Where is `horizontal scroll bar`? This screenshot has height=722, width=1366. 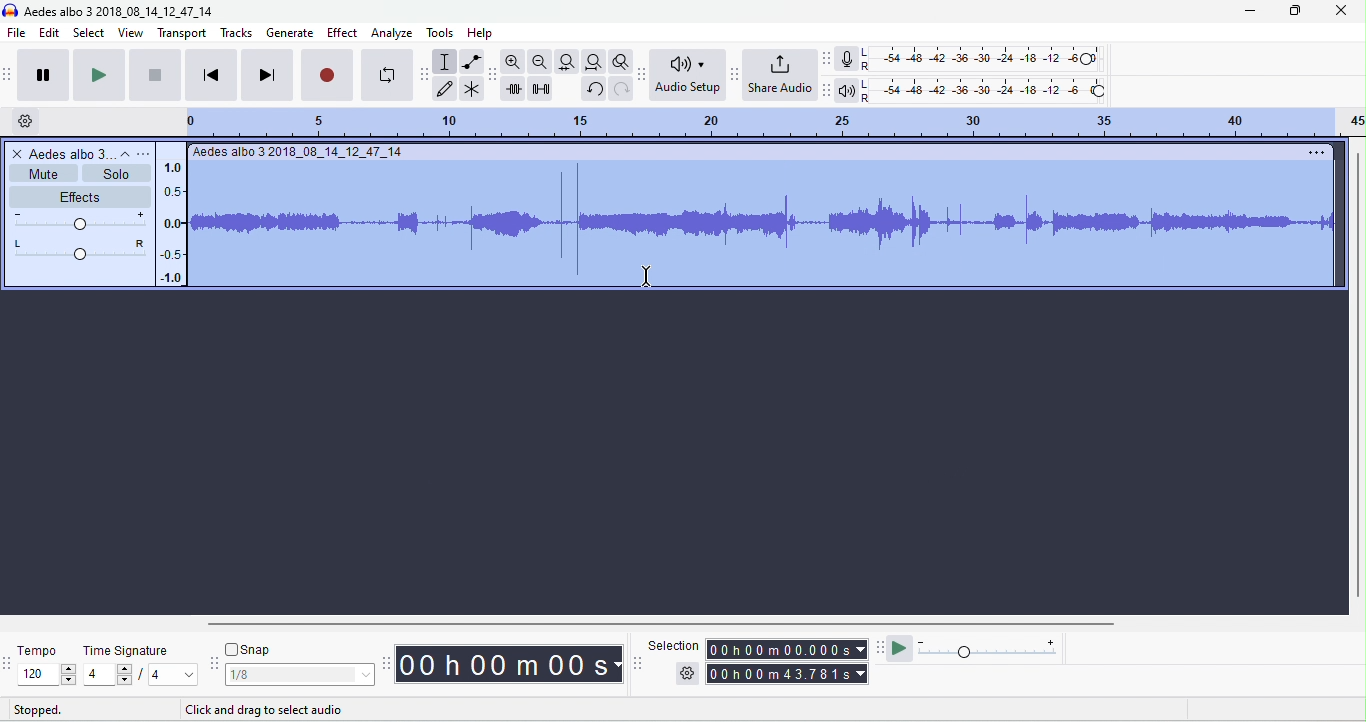
horizontal scroll bar is located at coordinates (643, 625).